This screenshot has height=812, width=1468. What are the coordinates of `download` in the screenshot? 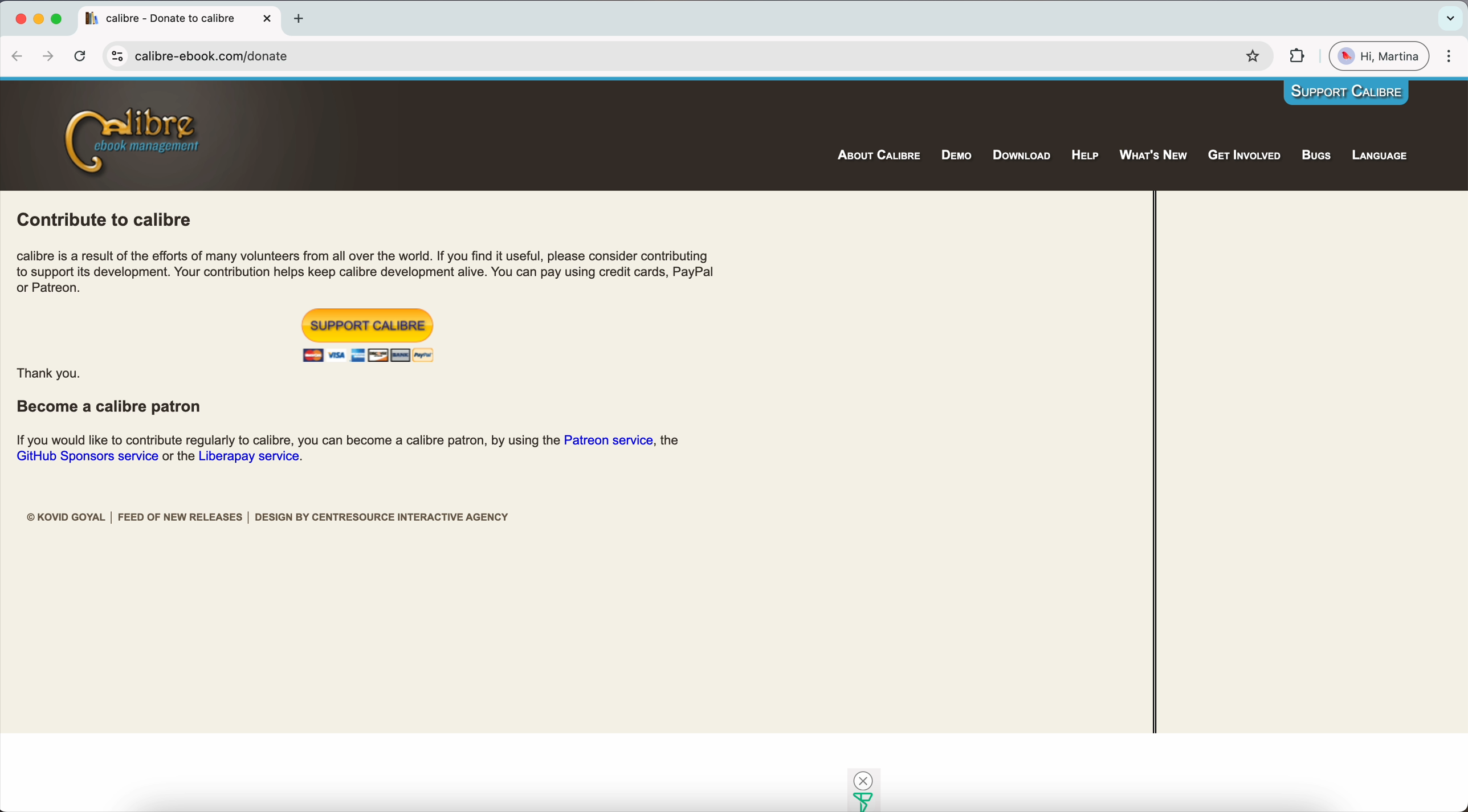 It's located at (1020, 156).